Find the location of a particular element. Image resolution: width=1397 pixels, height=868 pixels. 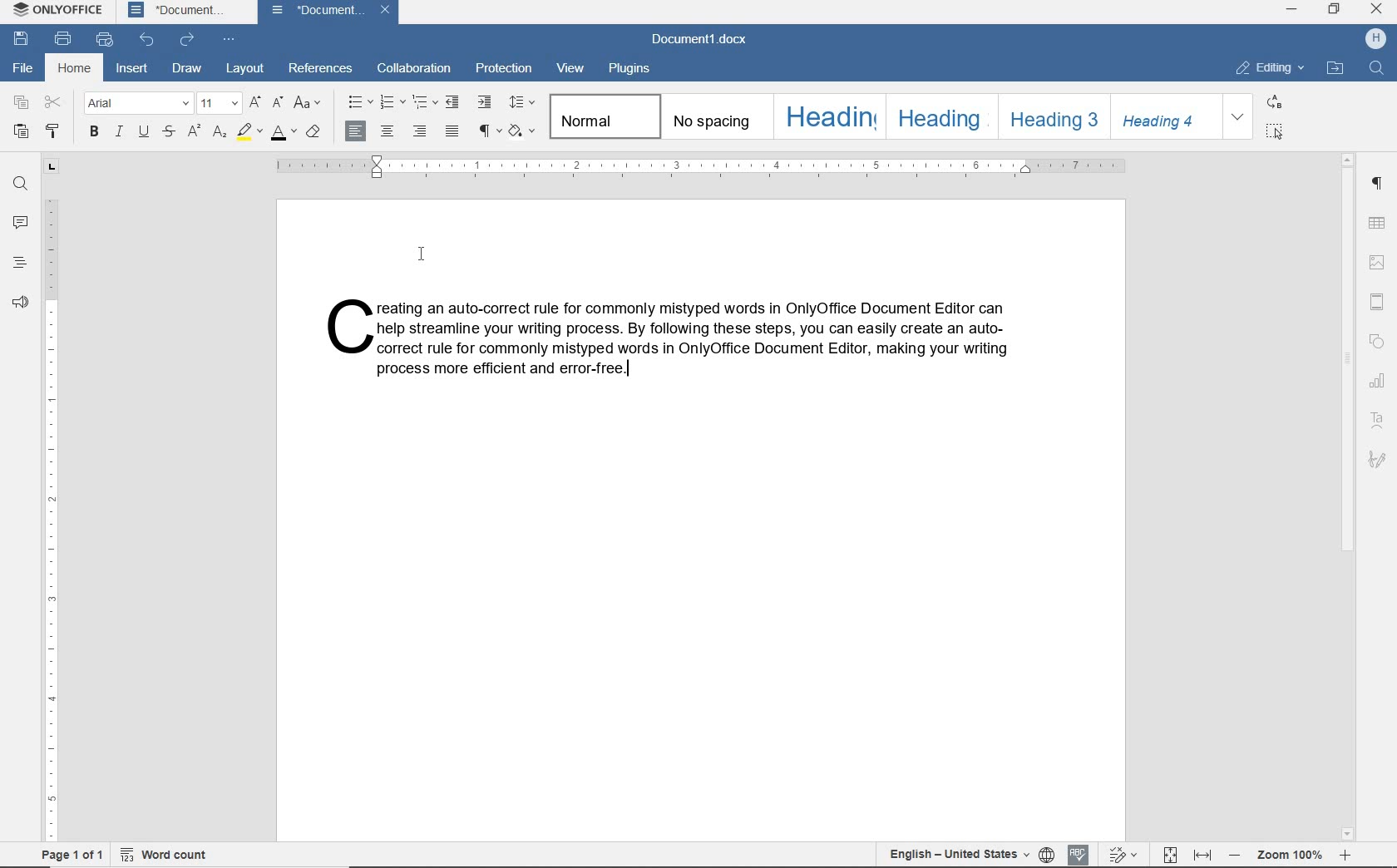

NORMAL is located at coordinates (605, 116).